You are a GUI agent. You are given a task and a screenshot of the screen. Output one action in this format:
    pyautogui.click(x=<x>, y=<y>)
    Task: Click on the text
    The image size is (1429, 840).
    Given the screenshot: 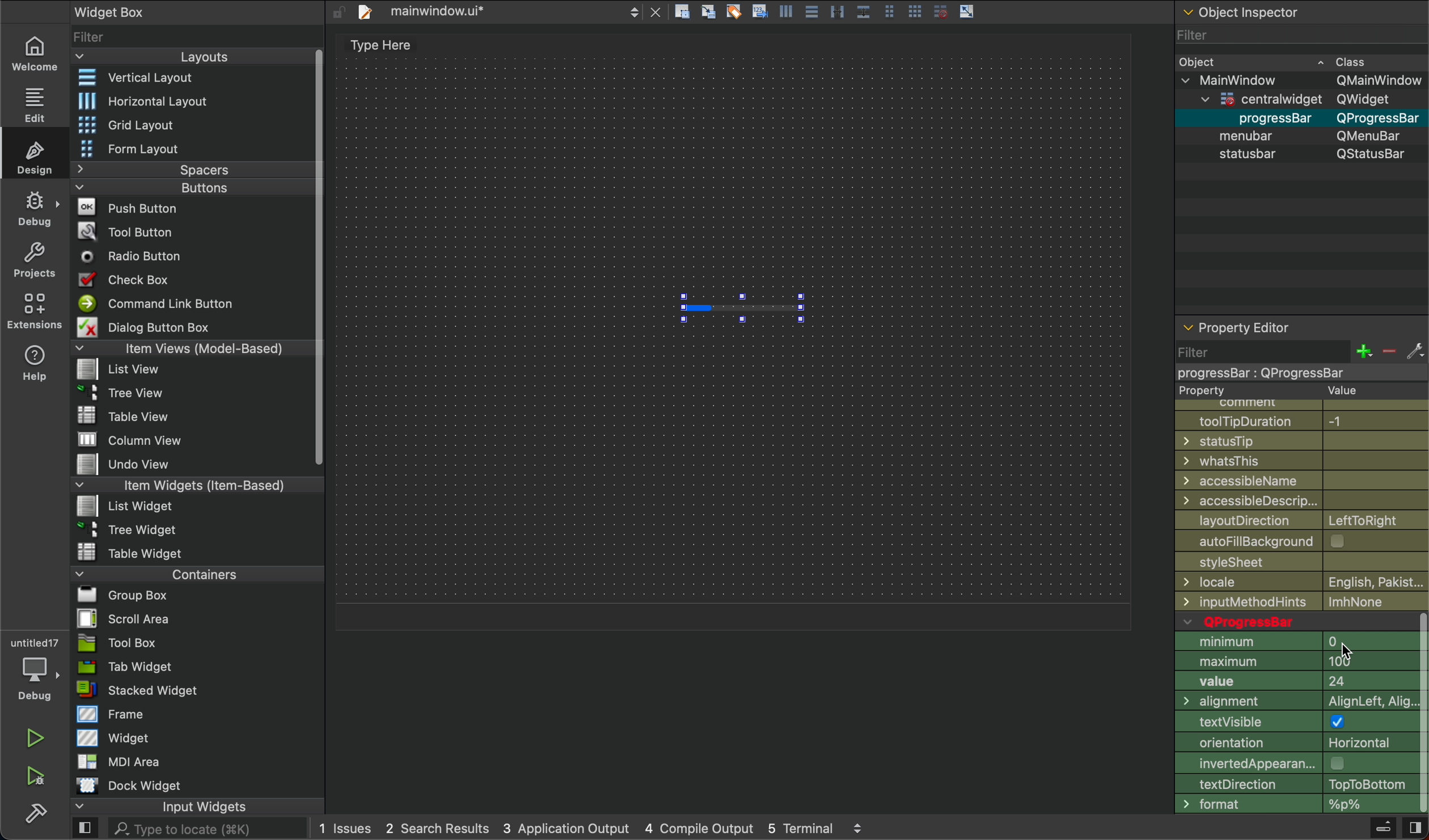 What is the action you would take?
    pyautogui.click(x=375, y=47)
    